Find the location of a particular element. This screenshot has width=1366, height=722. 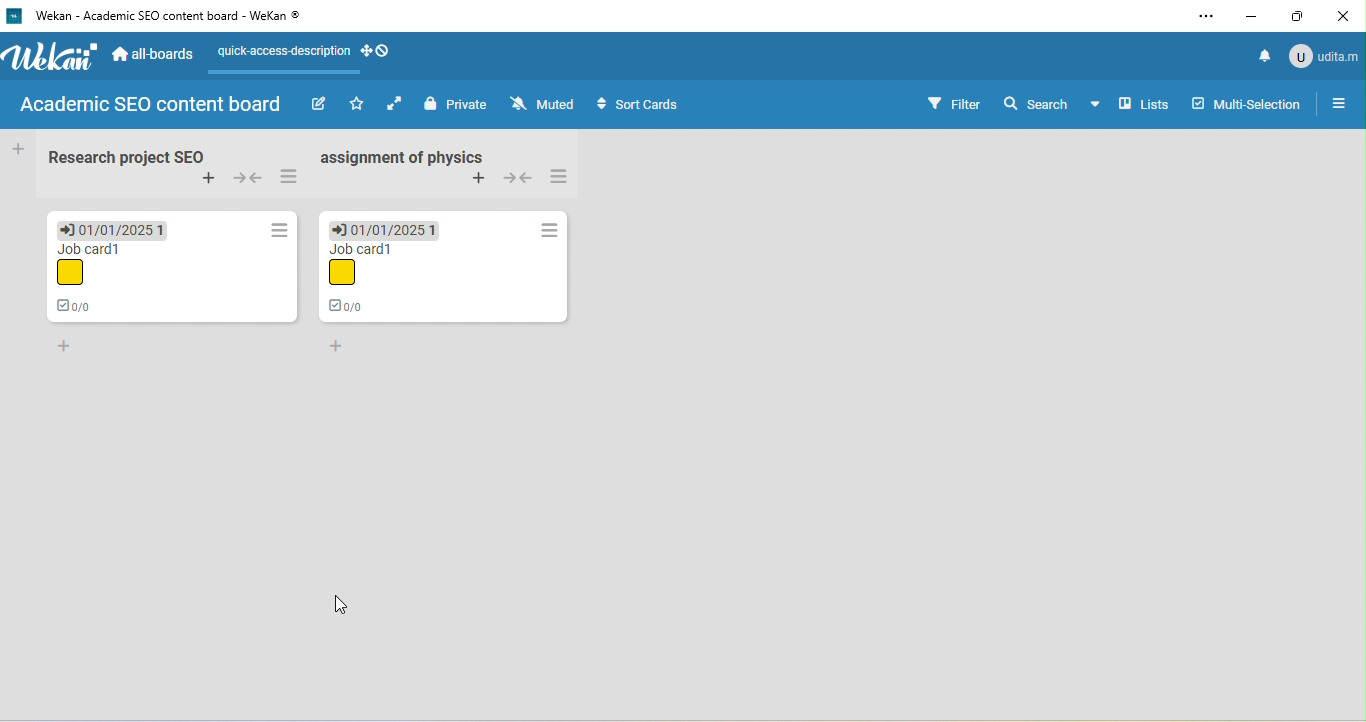

add is located at coordinates (335, 346).